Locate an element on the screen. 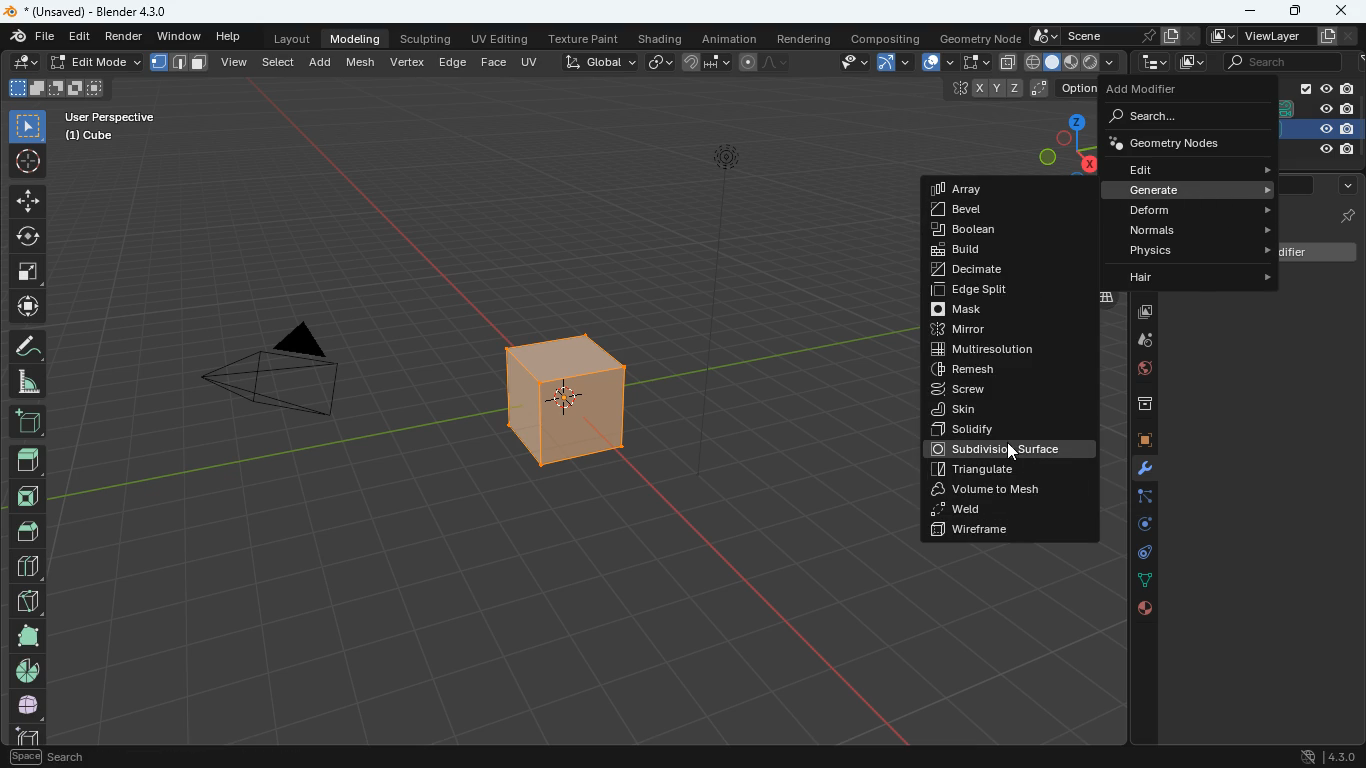  coordinates is located at coordinates (1019, 89).